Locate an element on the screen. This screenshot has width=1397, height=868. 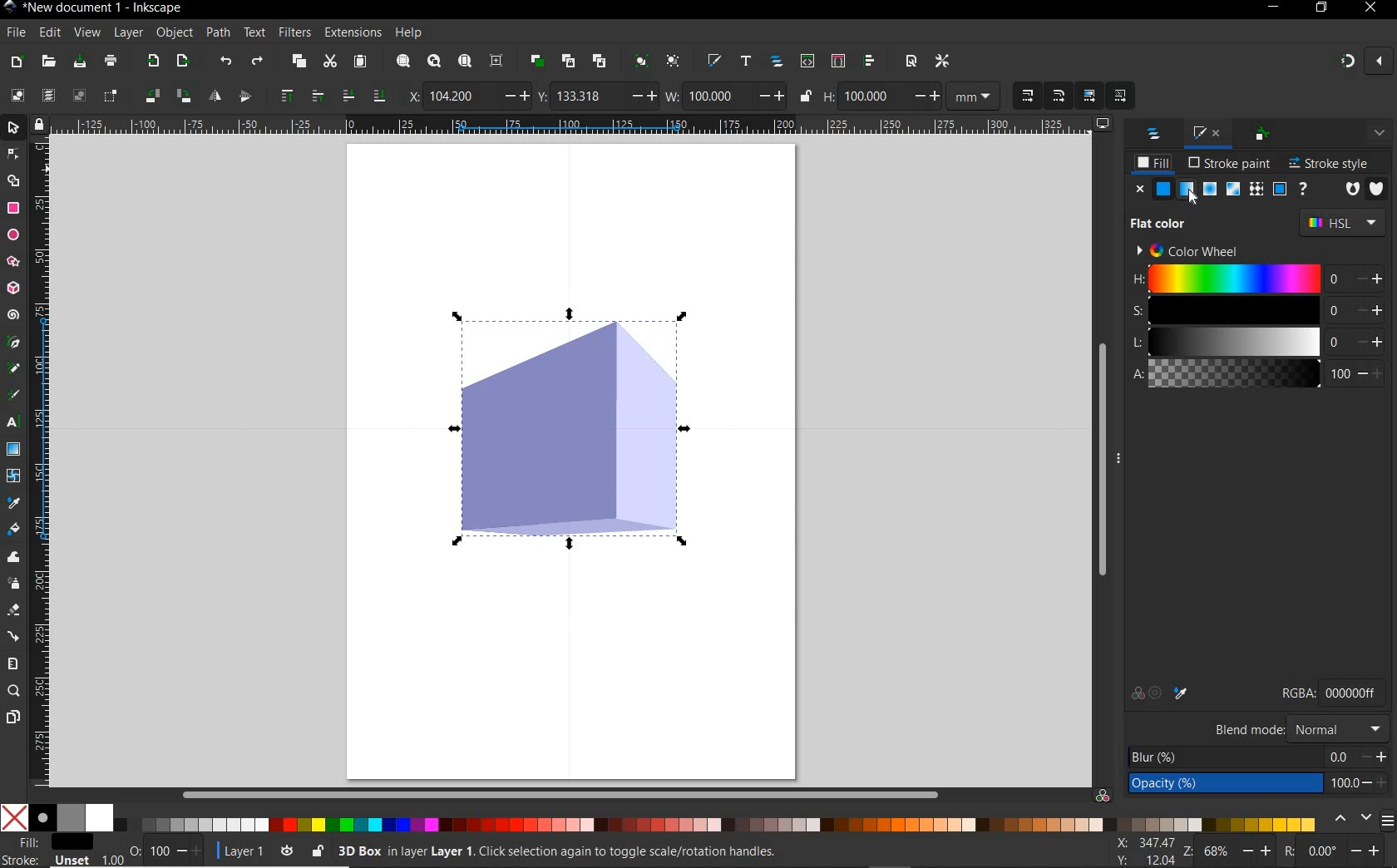
BLEND MODE is located at coordinates (1249, 729).